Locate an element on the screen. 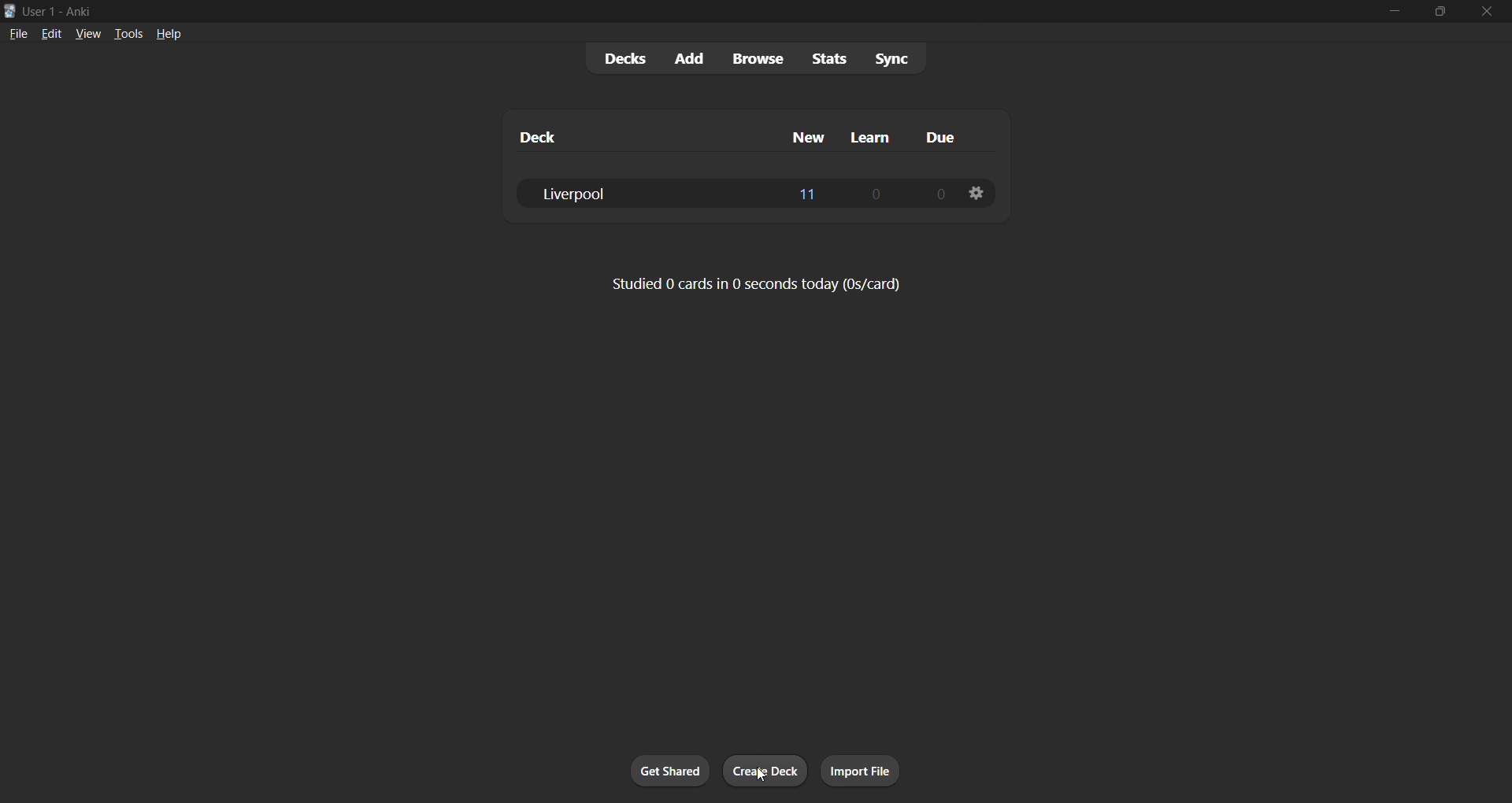  learn column is located at coordinates (873, 136).